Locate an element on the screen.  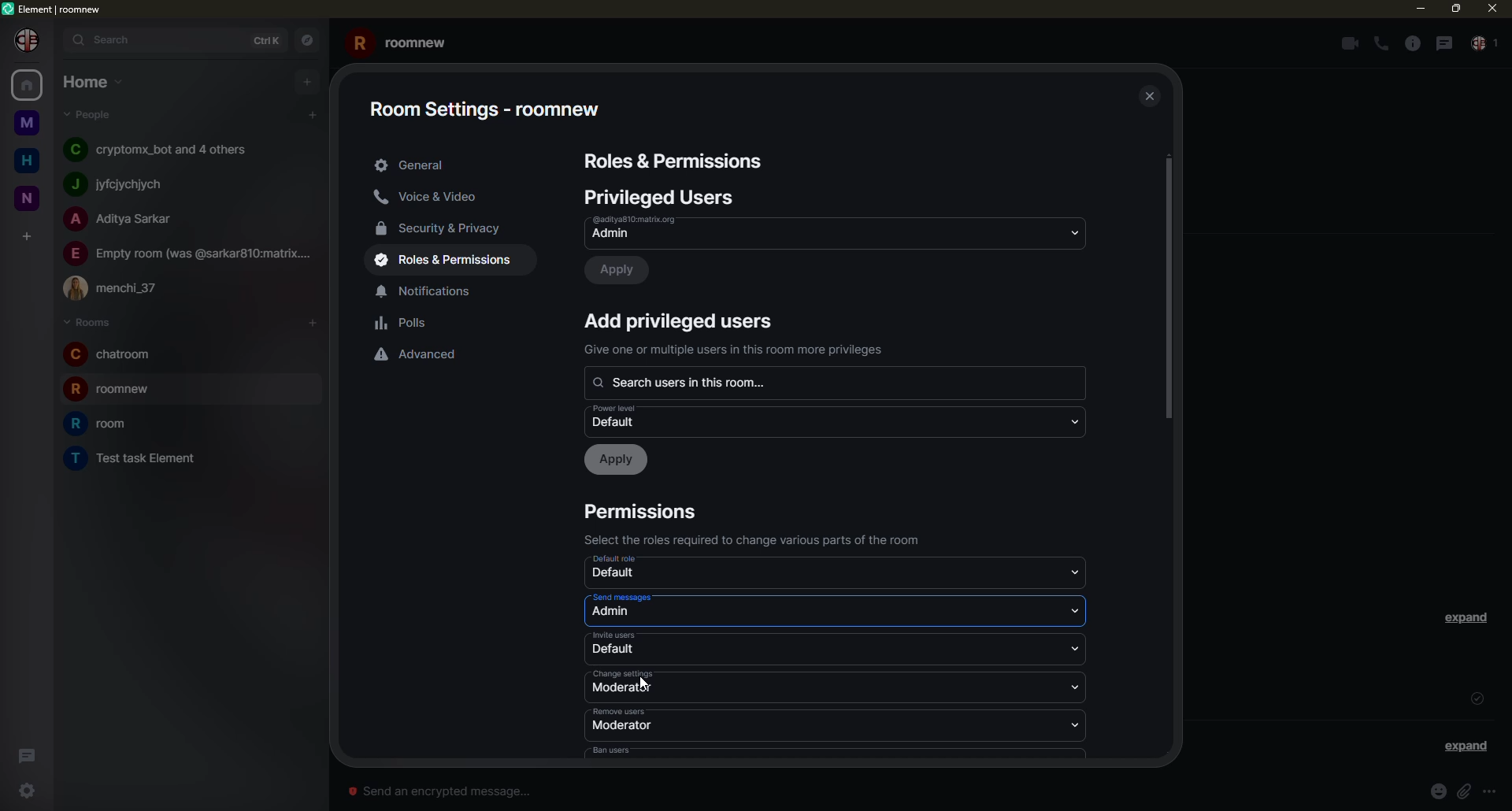
default is located at coordinates (624, 560).